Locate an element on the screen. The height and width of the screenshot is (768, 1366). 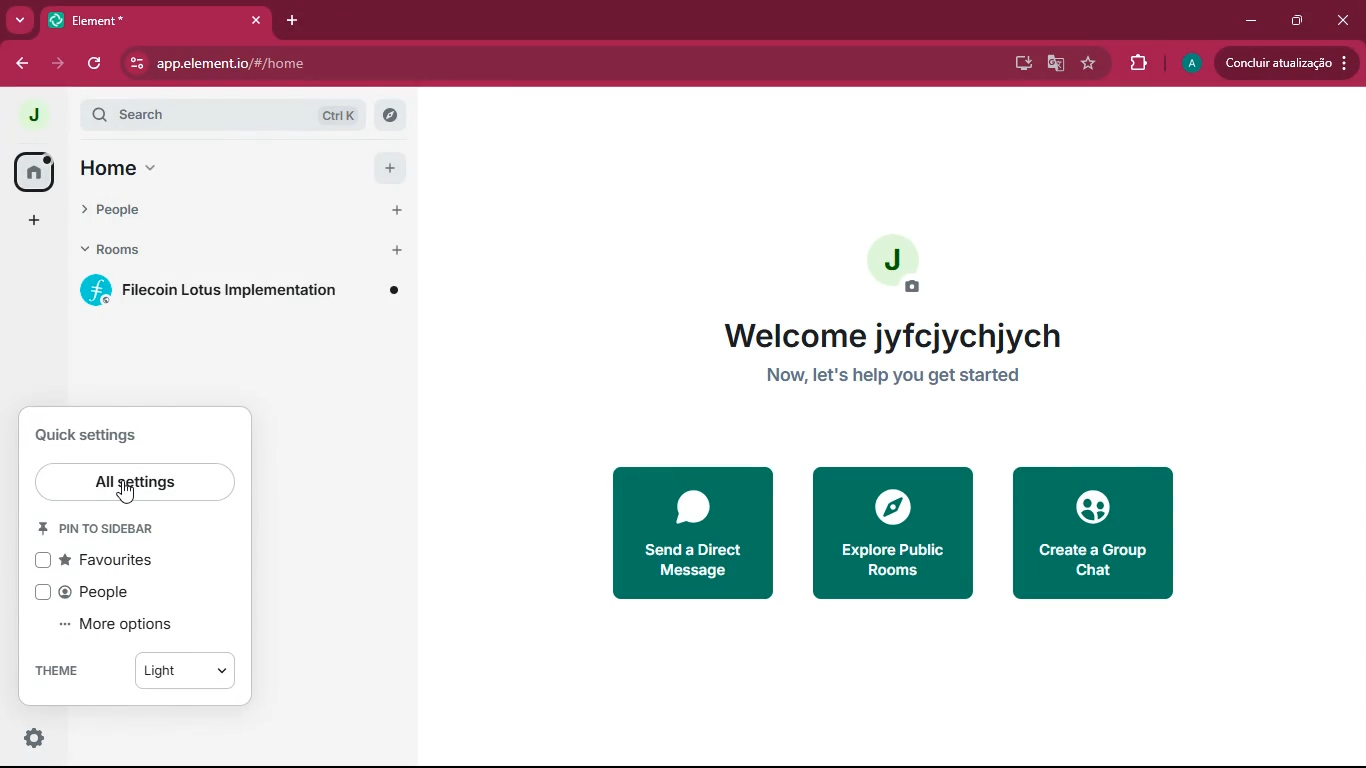
add button is located at coordinates (397, 250).